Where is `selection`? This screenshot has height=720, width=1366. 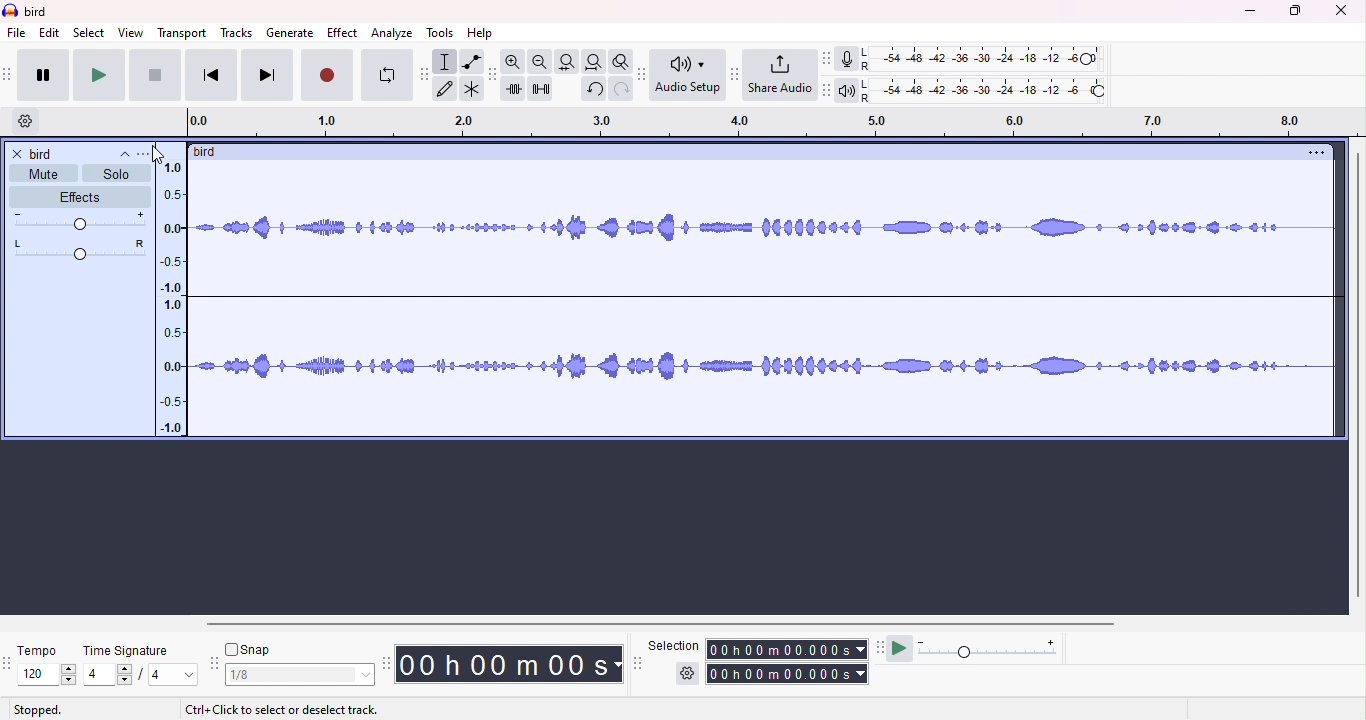
selection is located at coordinates (673, 644).